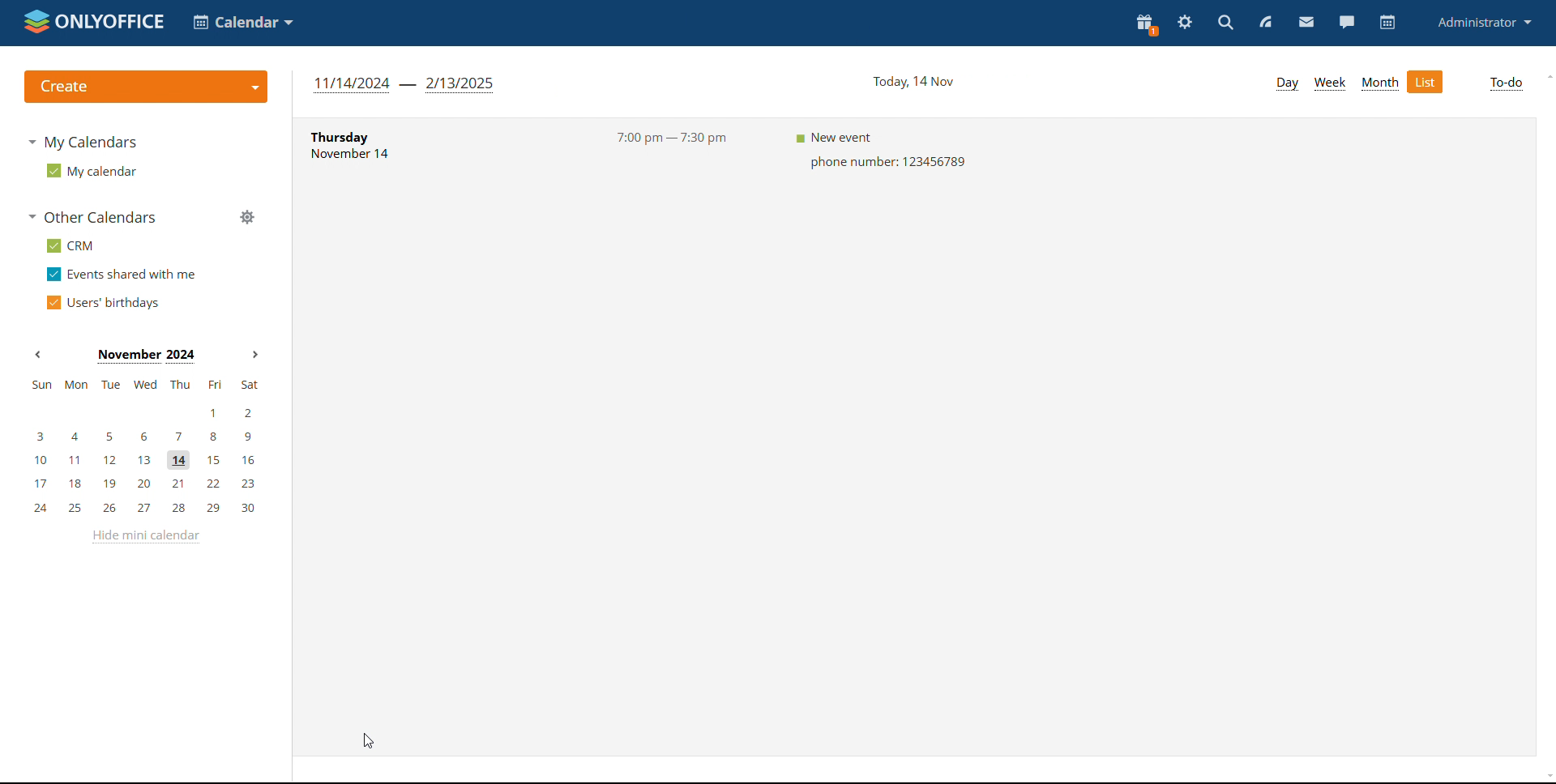 This screenshot has width=1556, height=784. Describe the element at coordinates (1508, 84) in the screenshot. I see `to-do` at that location.